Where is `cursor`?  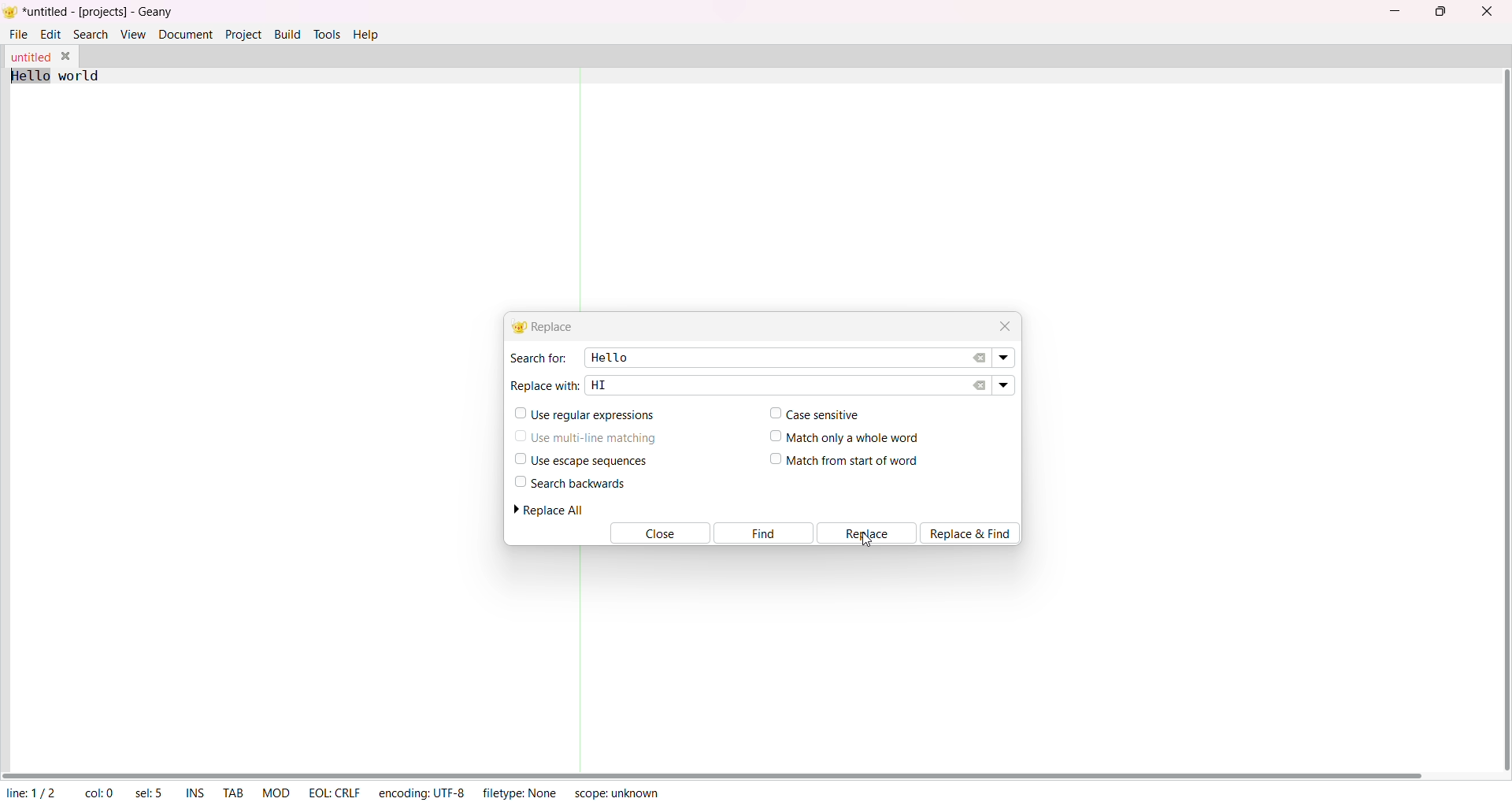 cursor is located at coordinates (865, 540).